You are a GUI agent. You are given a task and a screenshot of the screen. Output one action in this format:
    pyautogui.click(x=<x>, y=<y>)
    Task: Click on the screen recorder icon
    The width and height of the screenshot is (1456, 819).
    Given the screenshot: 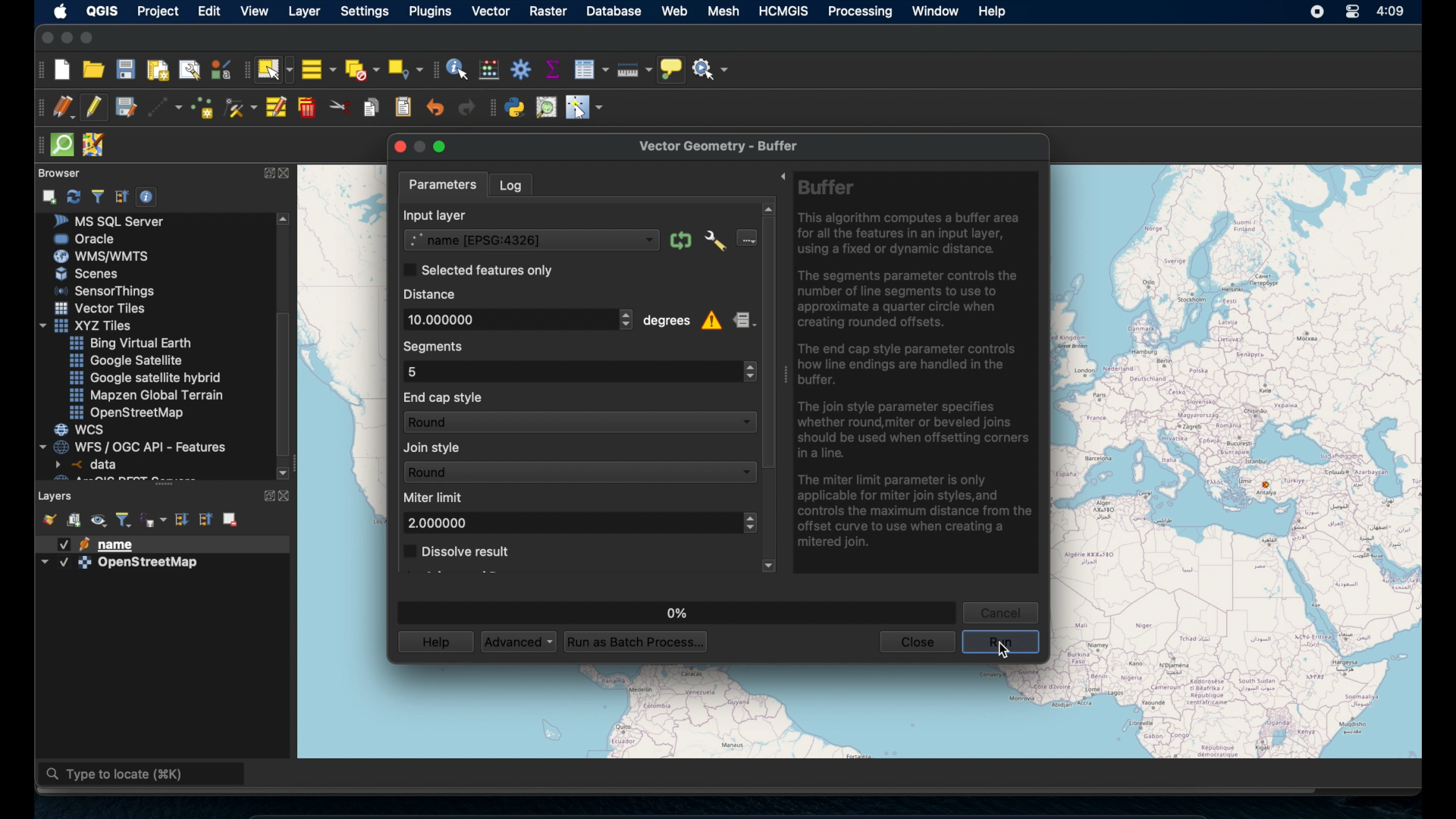 What is the action you would take?
    pyautogui.click(x=1318, y=13)
    